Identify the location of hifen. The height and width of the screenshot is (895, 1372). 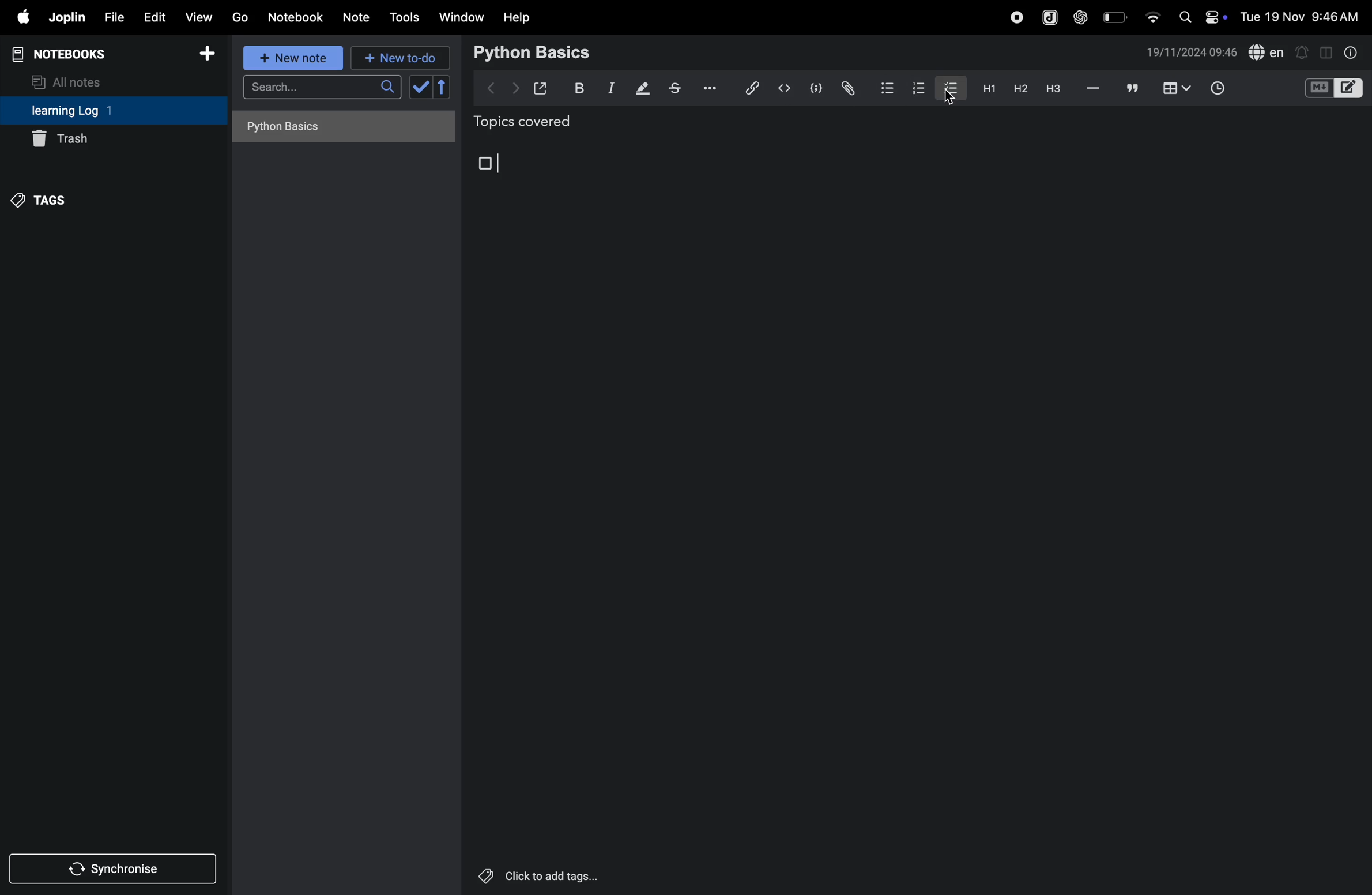
(1094, 89).